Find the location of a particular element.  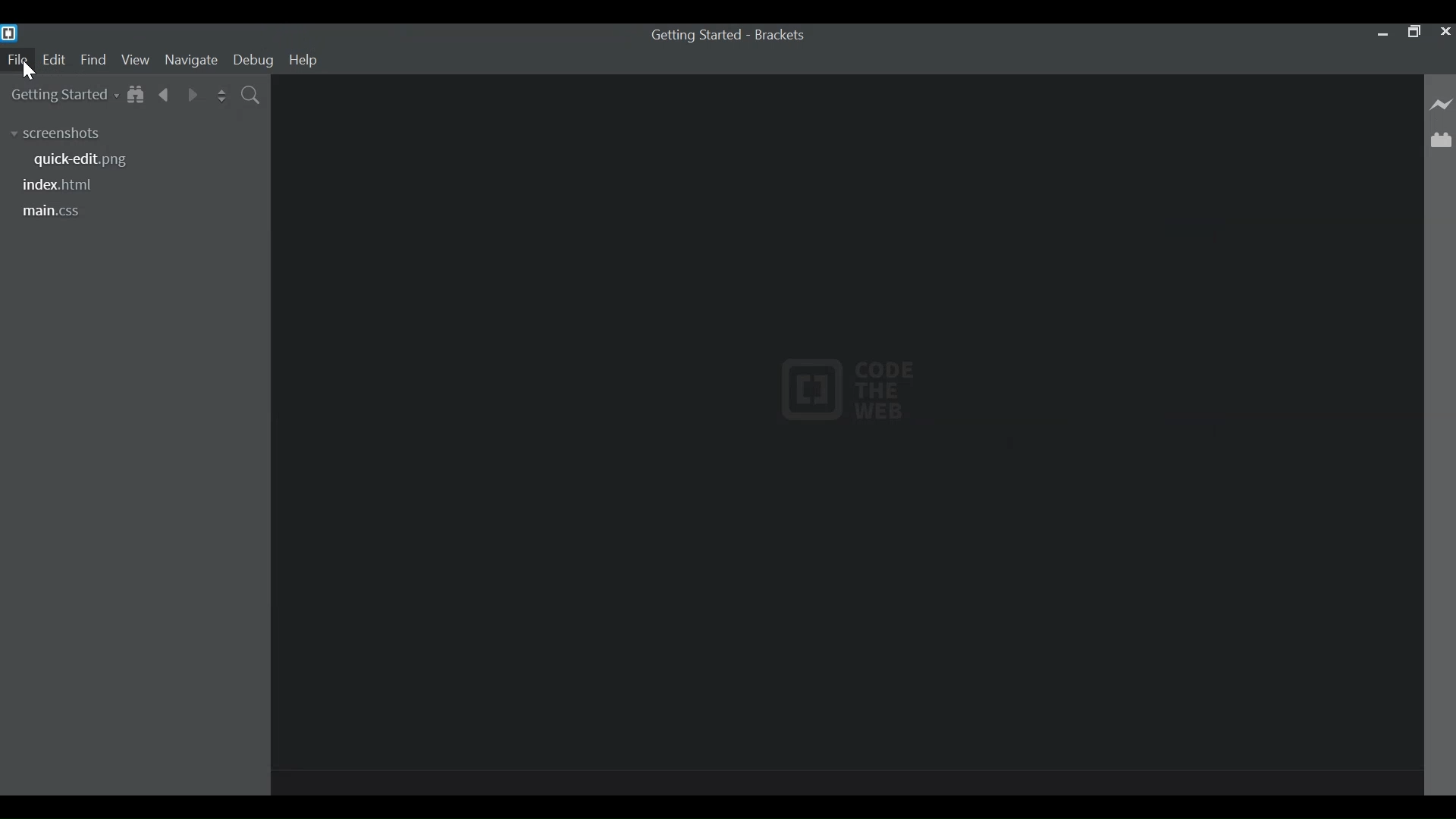

Bracket Desktop Icon is located at coordinates (11, 33).